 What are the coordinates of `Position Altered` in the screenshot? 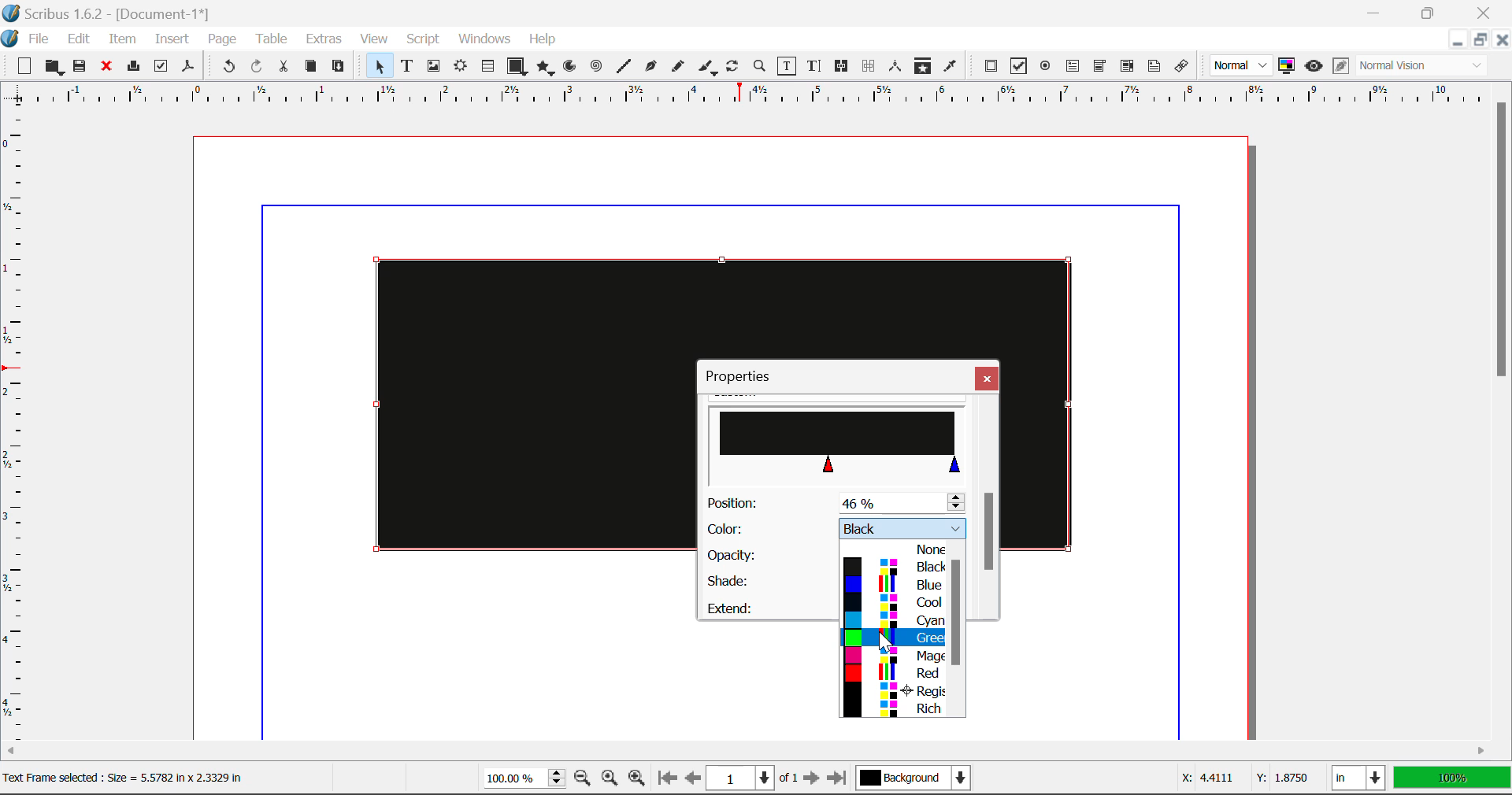 It's located at (839, 503).